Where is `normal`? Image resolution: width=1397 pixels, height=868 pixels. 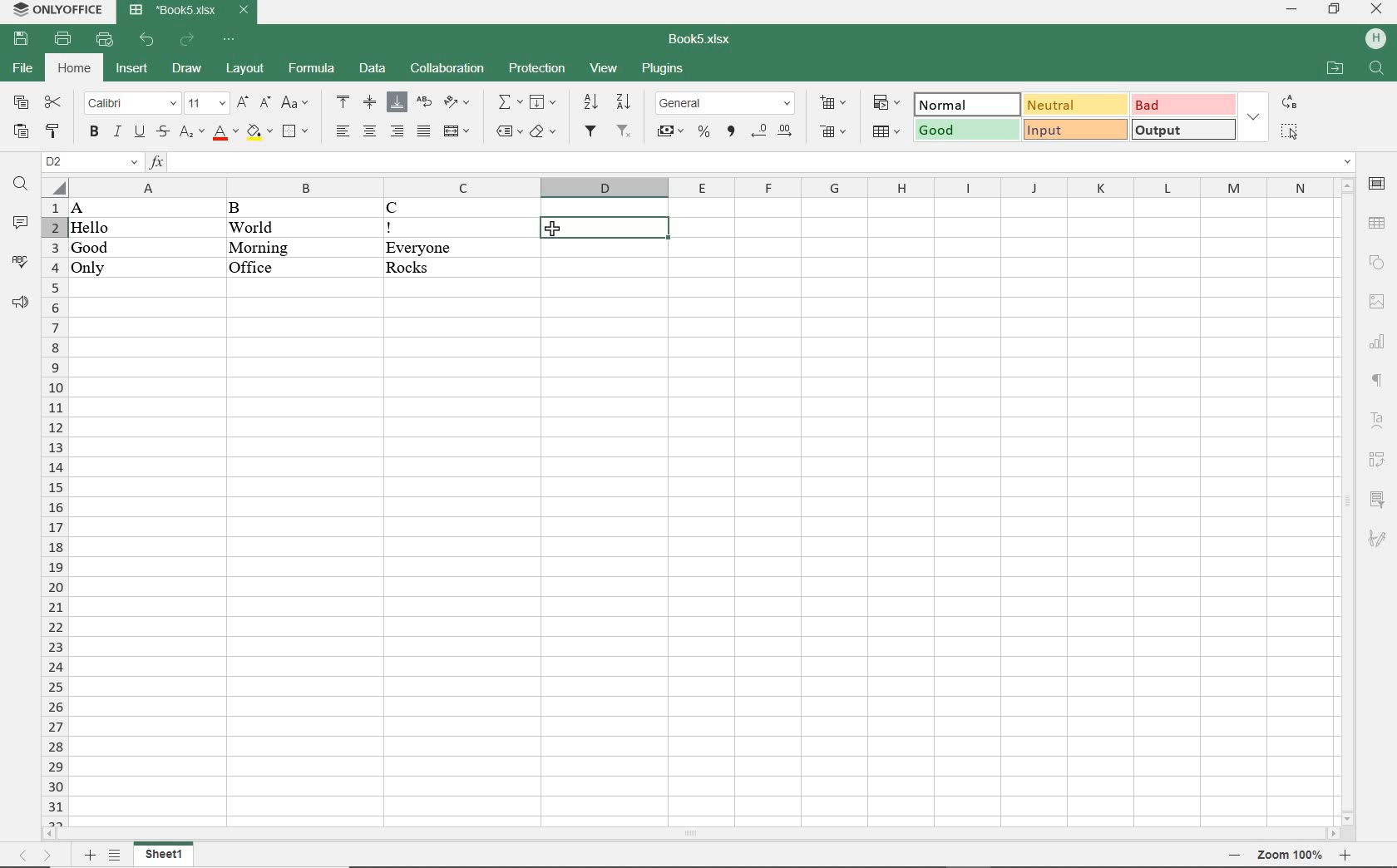 normal is located at coordinates (966, 103).